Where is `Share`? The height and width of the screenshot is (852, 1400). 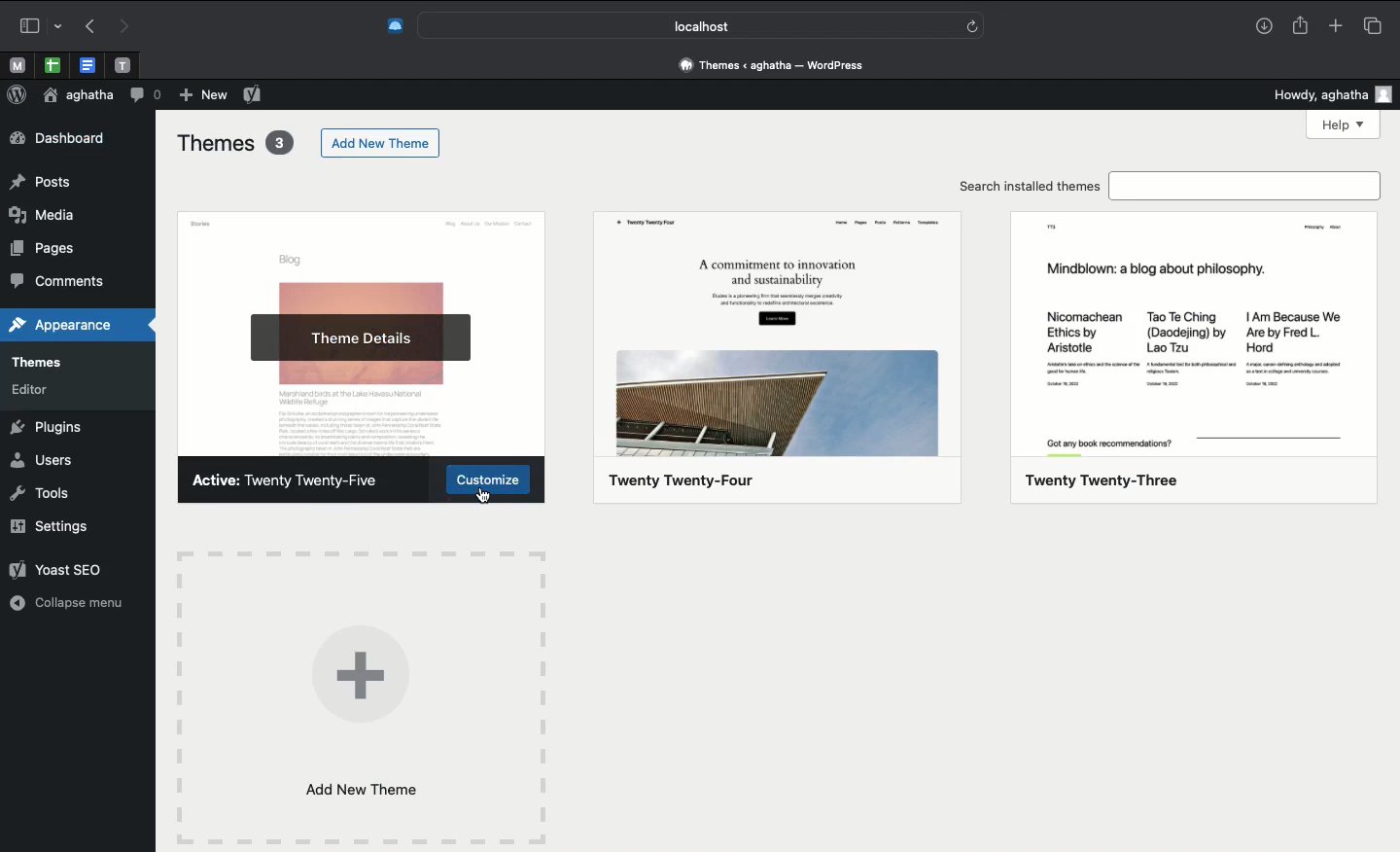
Share is located at coordinates (1299, 23).